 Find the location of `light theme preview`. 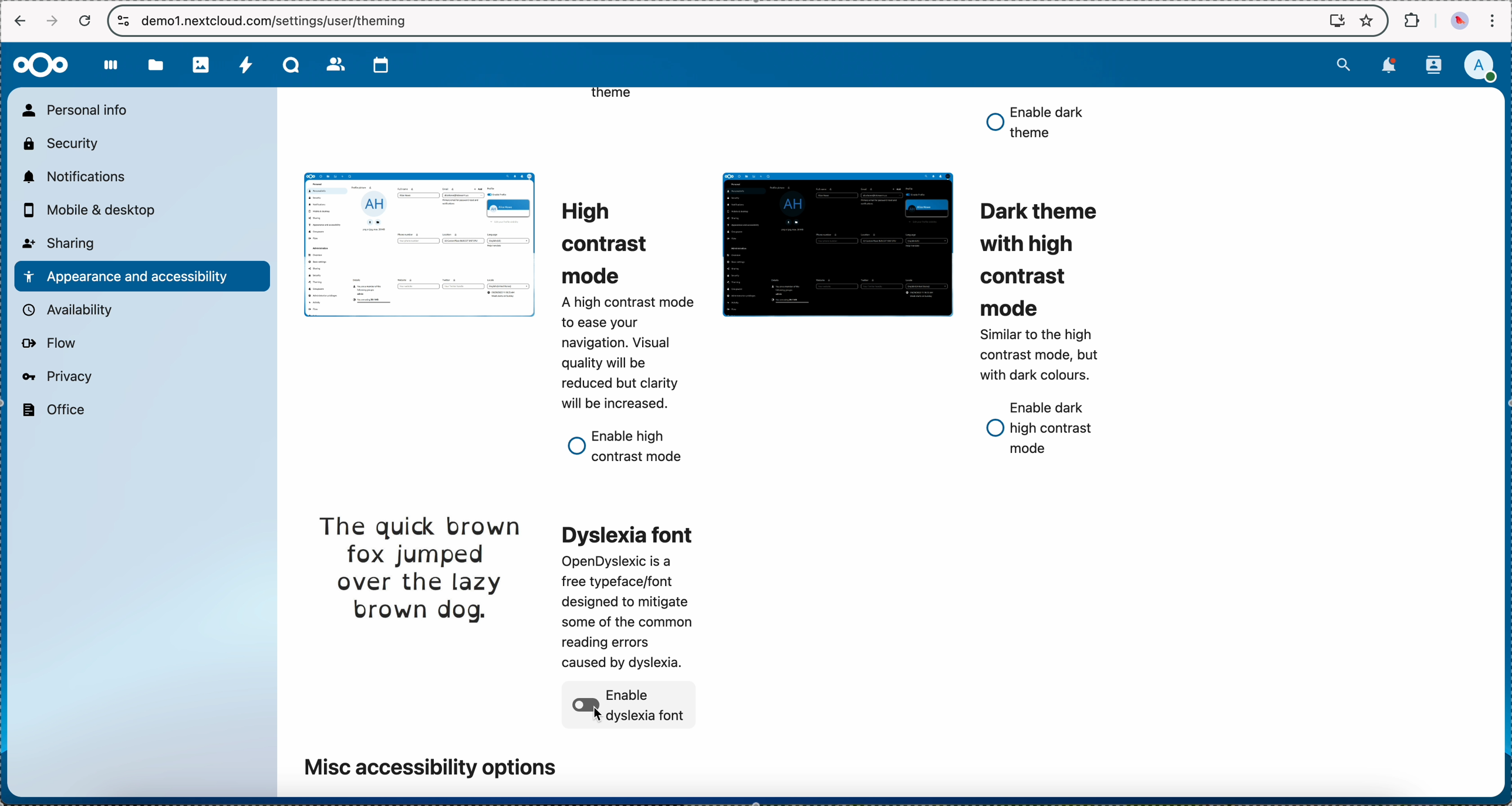

light theme preview is located at coordinates (417, 243).